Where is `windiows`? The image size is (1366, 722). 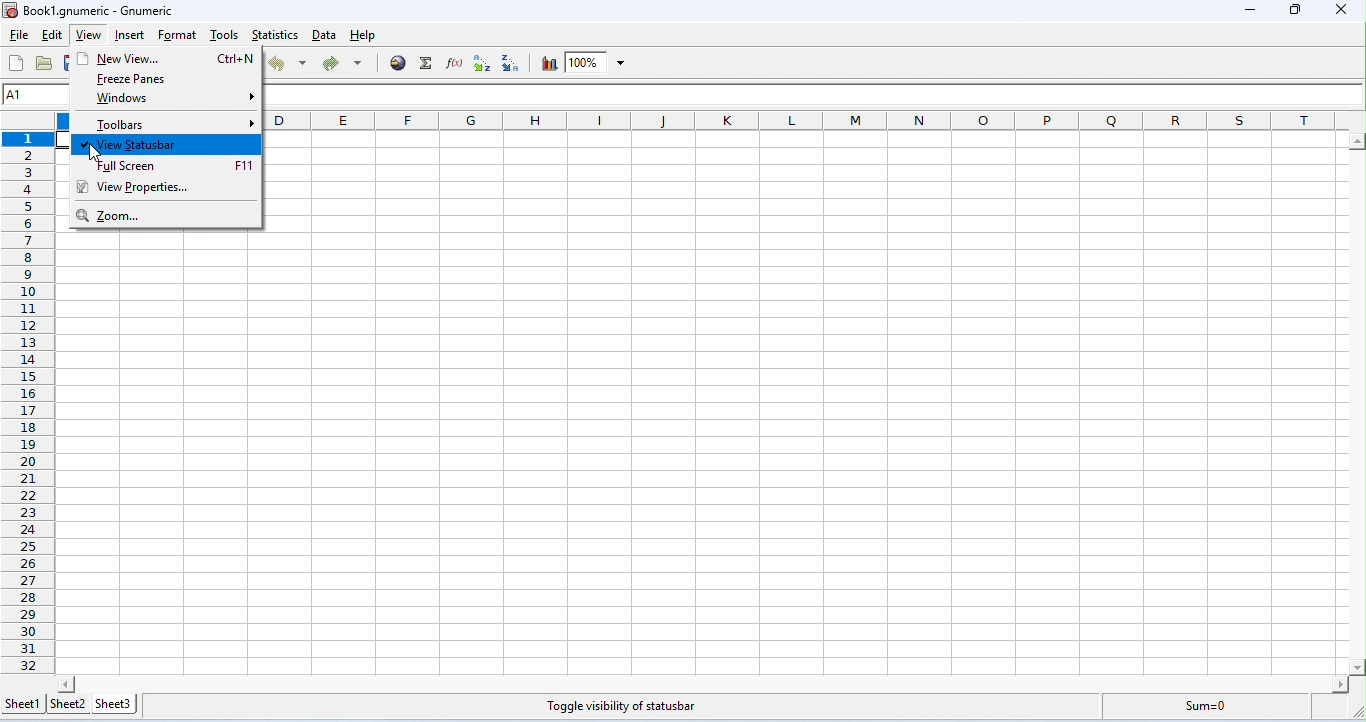 windiows is located at coordinates (172, 101).